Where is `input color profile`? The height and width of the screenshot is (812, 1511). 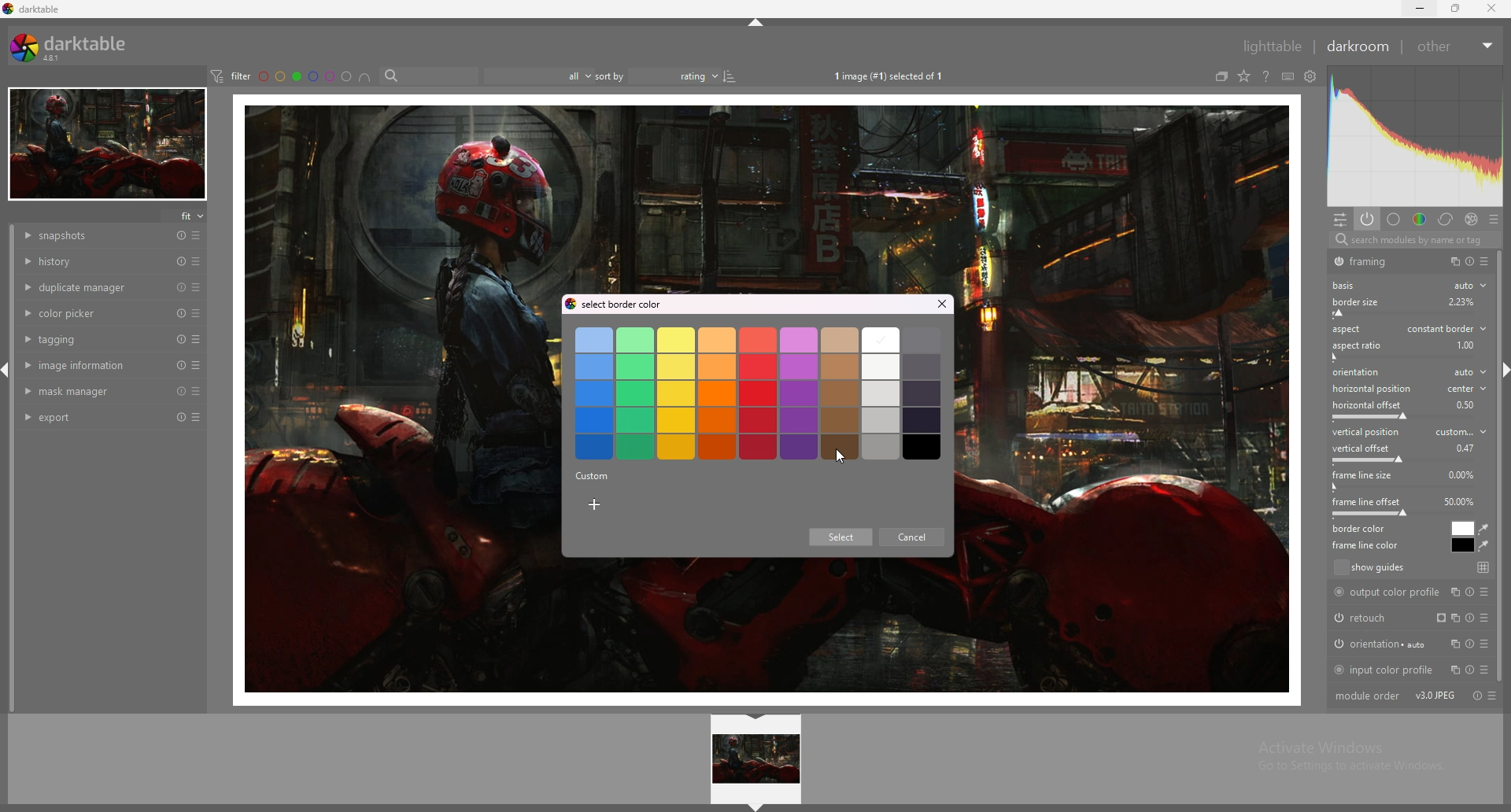 input color profile is located at coordinates (1413, 668).